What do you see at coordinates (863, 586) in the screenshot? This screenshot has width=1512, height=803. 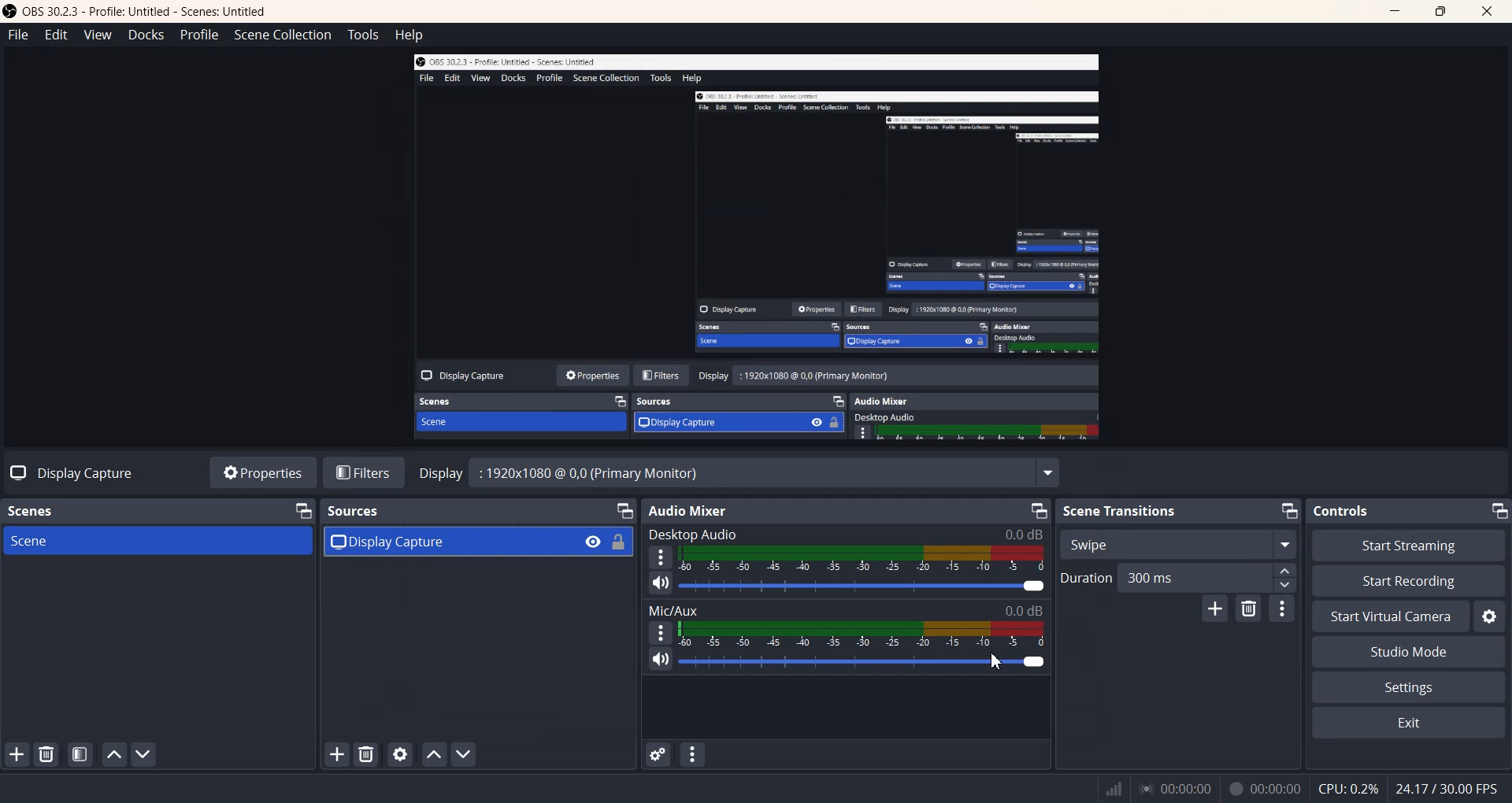 I see `Volume Adjuster` at bounding box center [863, 586].